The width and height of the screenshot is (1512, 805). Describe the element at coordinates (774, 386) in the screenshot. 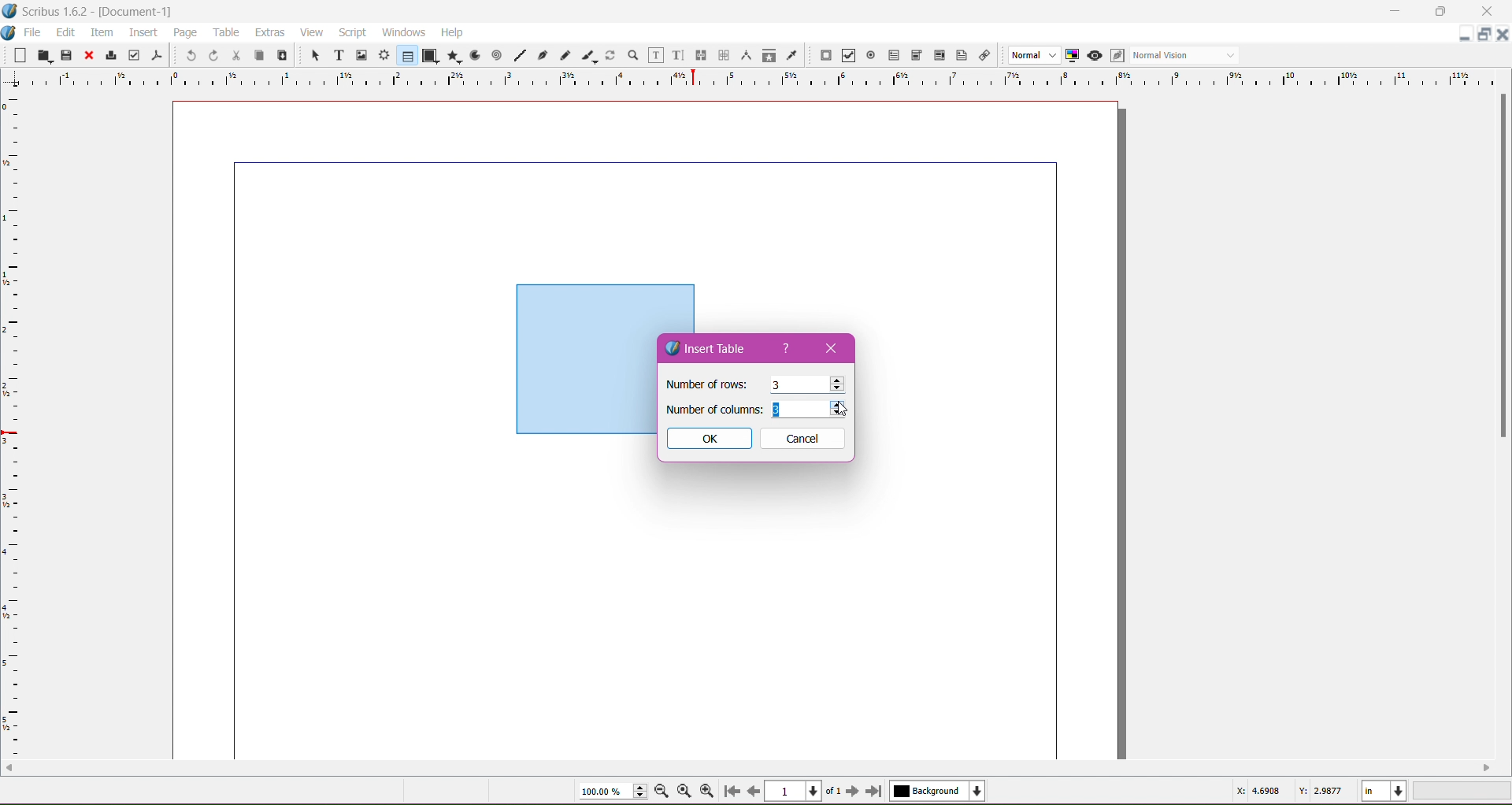

I see `3` at that location.